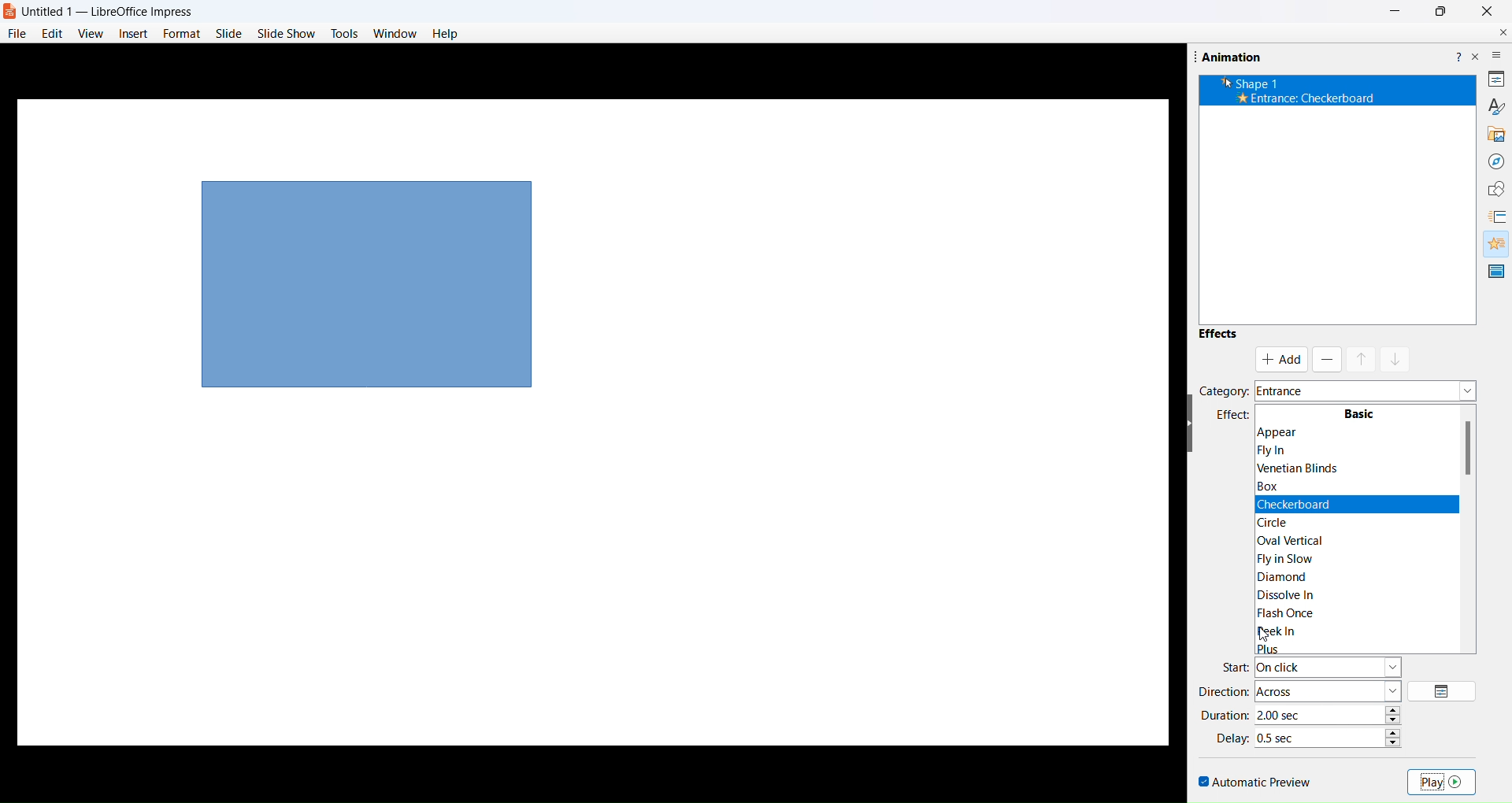 The image size is (1512, 803). Describe the element at coordinates (1441, 11) in the screenshot. I see `maximize` at that location.